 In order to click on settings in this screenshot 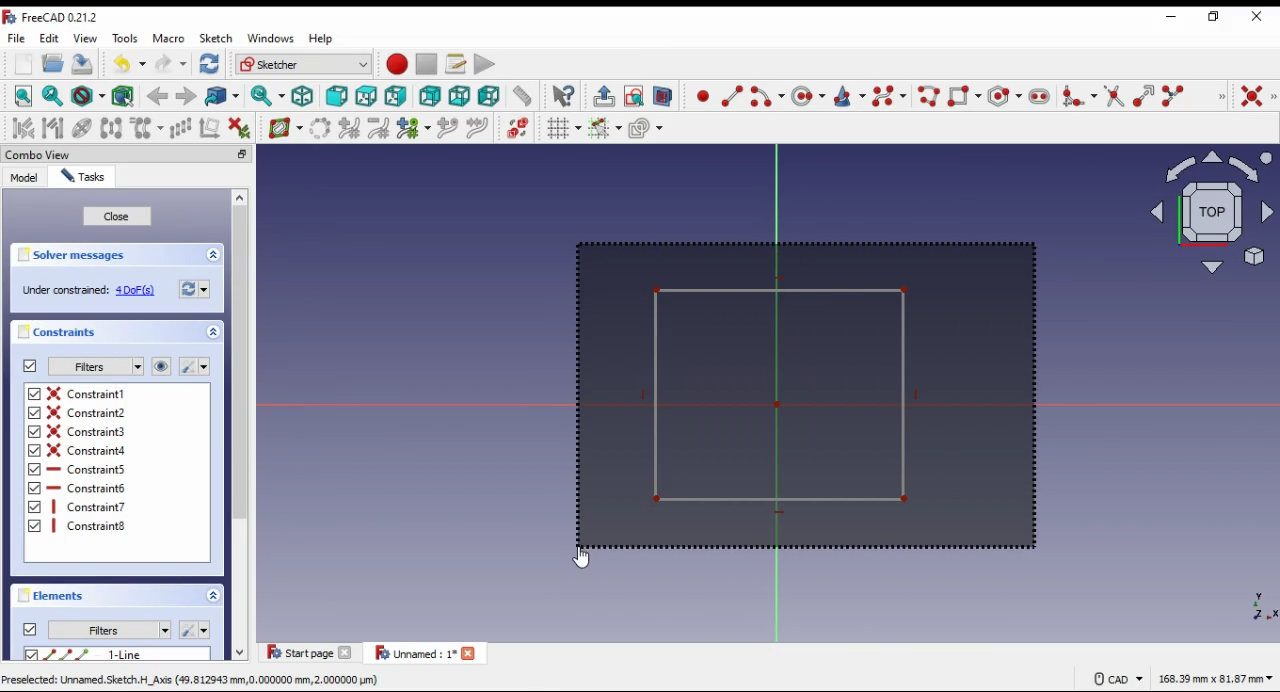, I will do `click(194, 628)`.